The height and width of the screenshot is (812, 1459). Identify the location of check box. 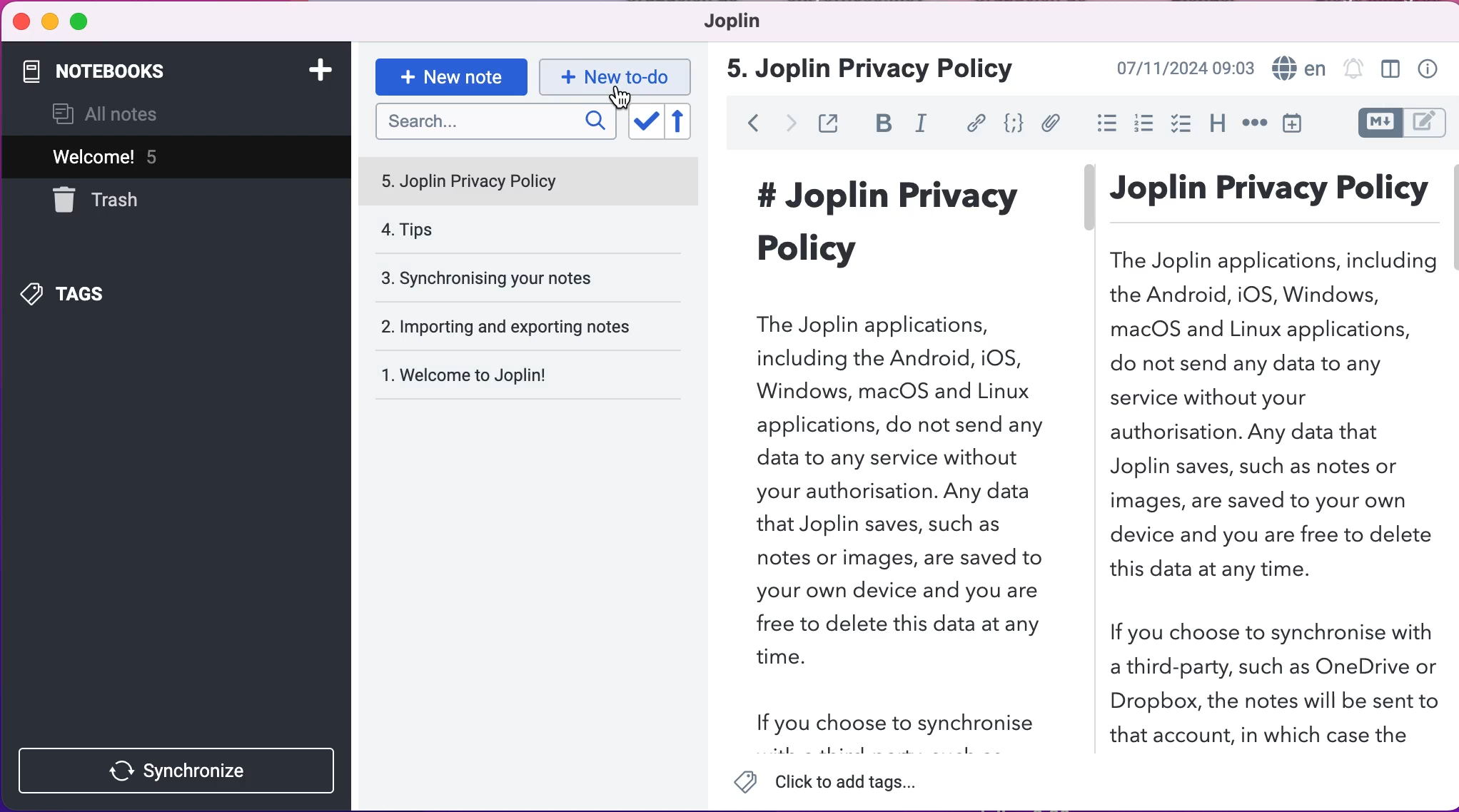
(1181, 128).